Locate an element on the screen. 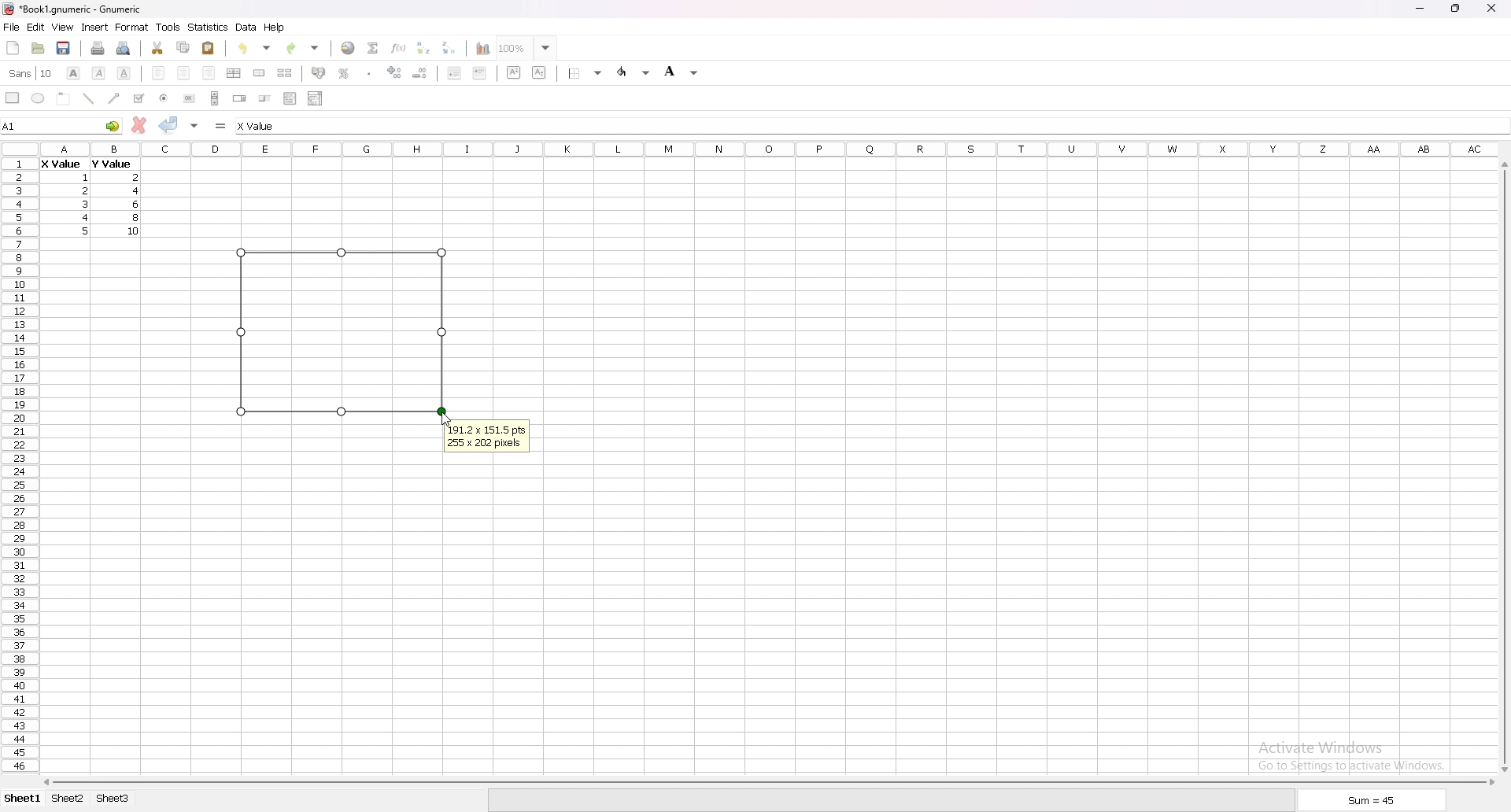  accept change is located at coordinates (168, 124).